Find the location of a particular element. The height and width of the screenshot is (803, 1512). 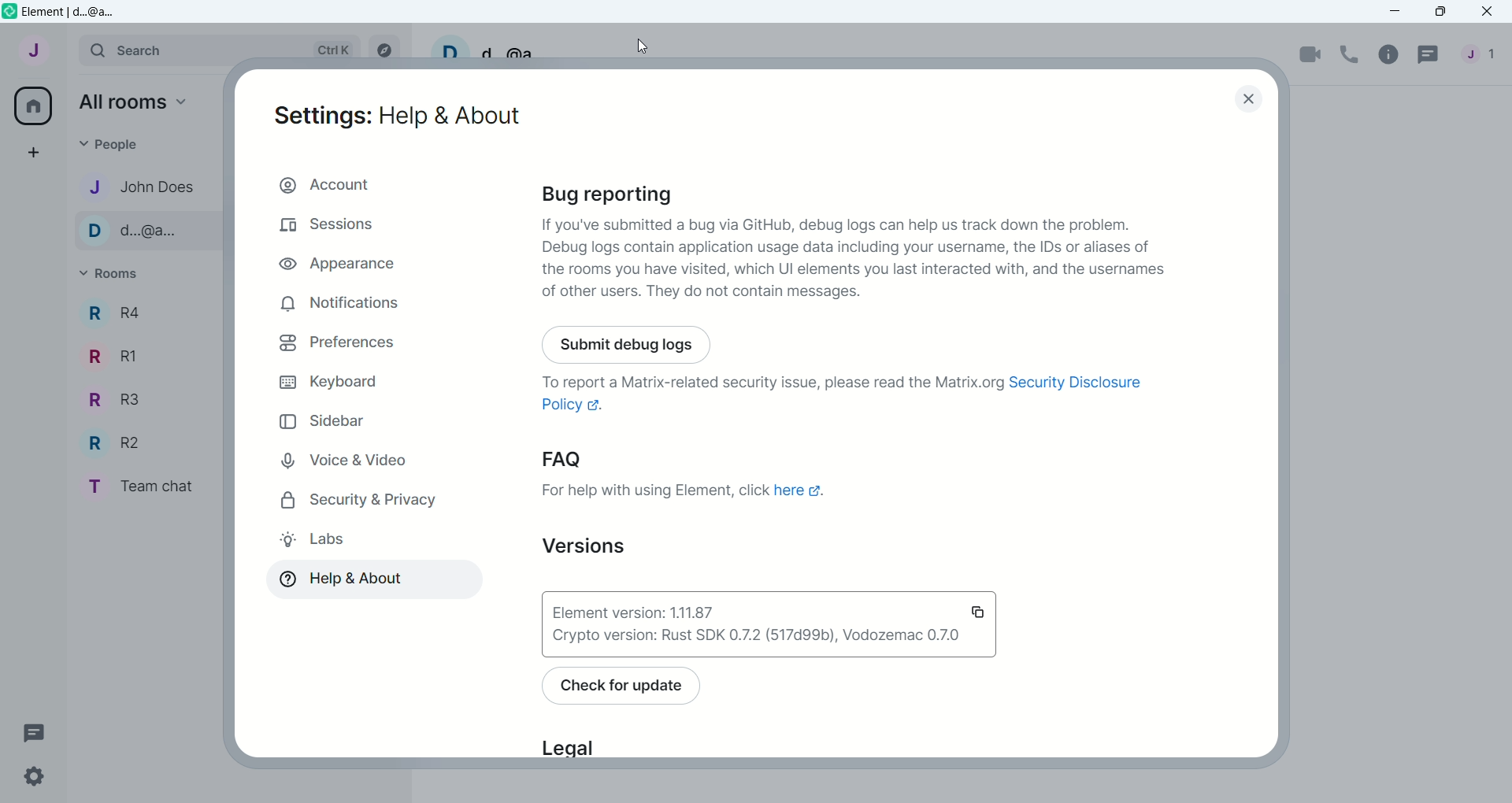

Sessions is located at coordinates (332, 228).